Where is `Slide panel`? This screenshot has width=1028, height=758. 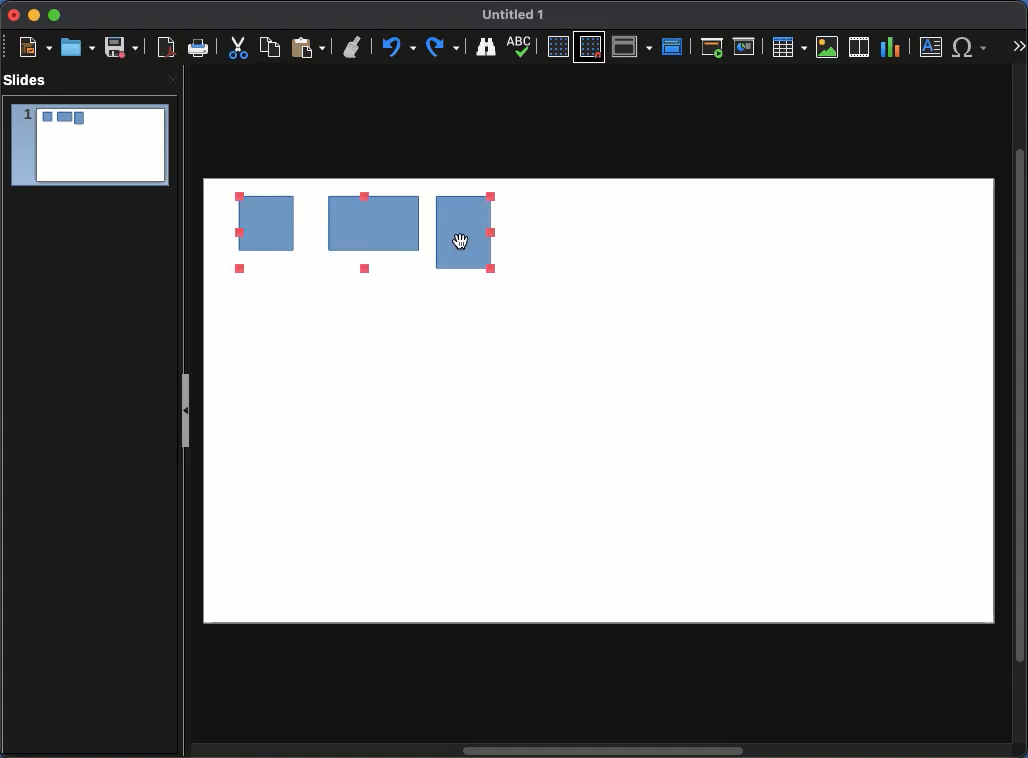 Slide panel is located at coordinates (187, 405).